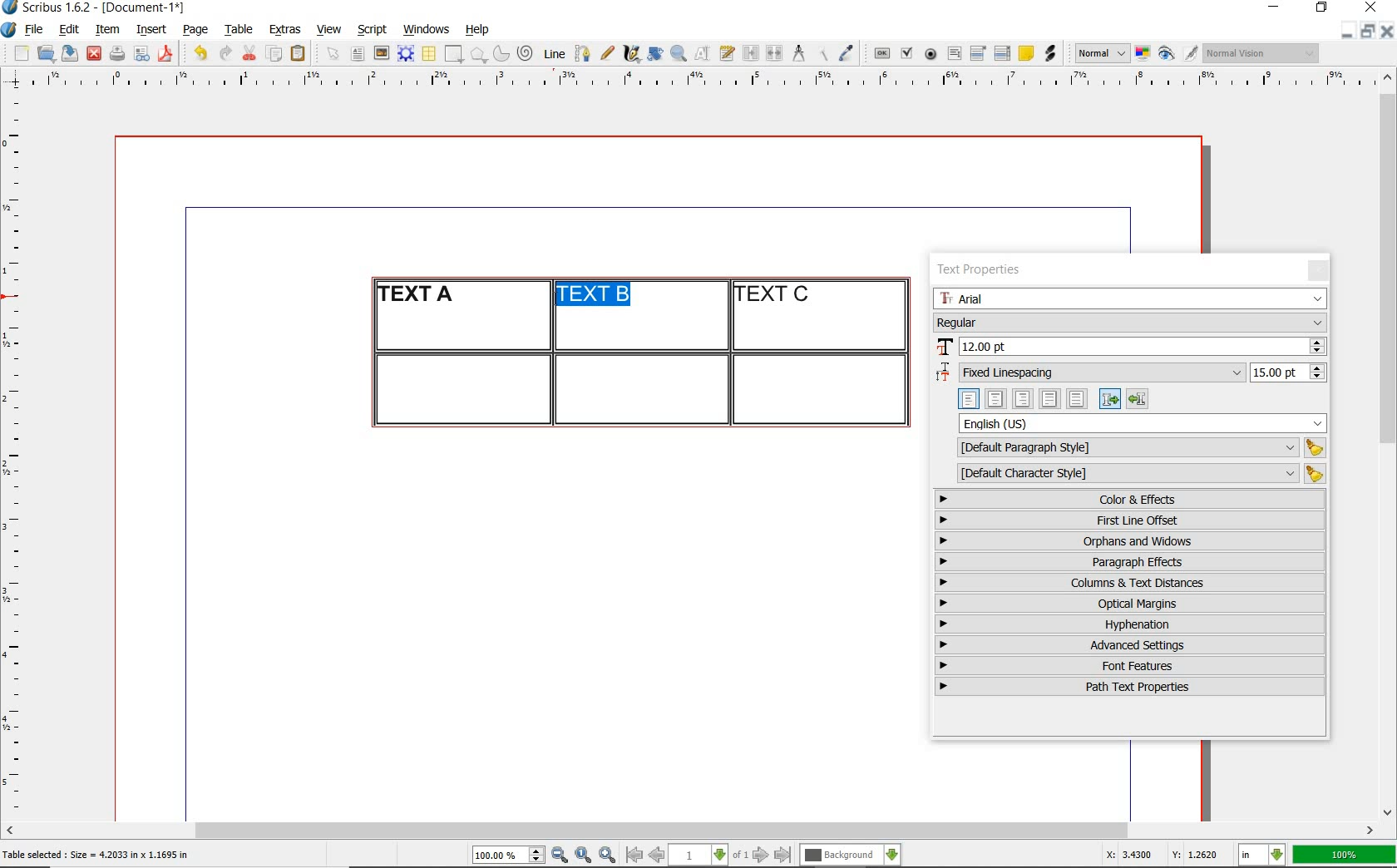 This screenshot has width=1397, height=868. Describe the element at coordinates (509, 855) in the screenshot. I see `select current zoom level` at that location.